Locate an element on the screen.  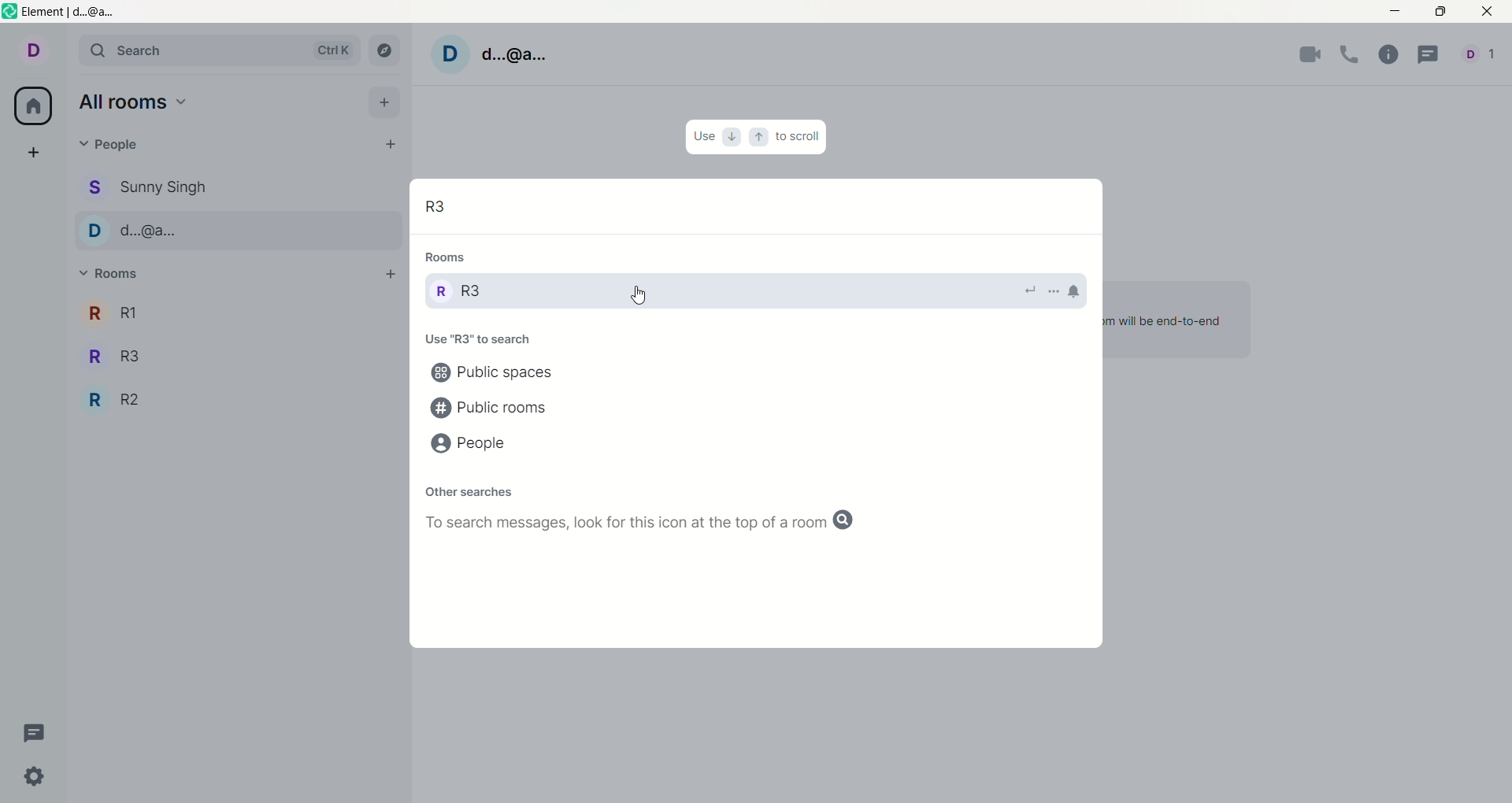
option is located at coordinates (1051, 294).